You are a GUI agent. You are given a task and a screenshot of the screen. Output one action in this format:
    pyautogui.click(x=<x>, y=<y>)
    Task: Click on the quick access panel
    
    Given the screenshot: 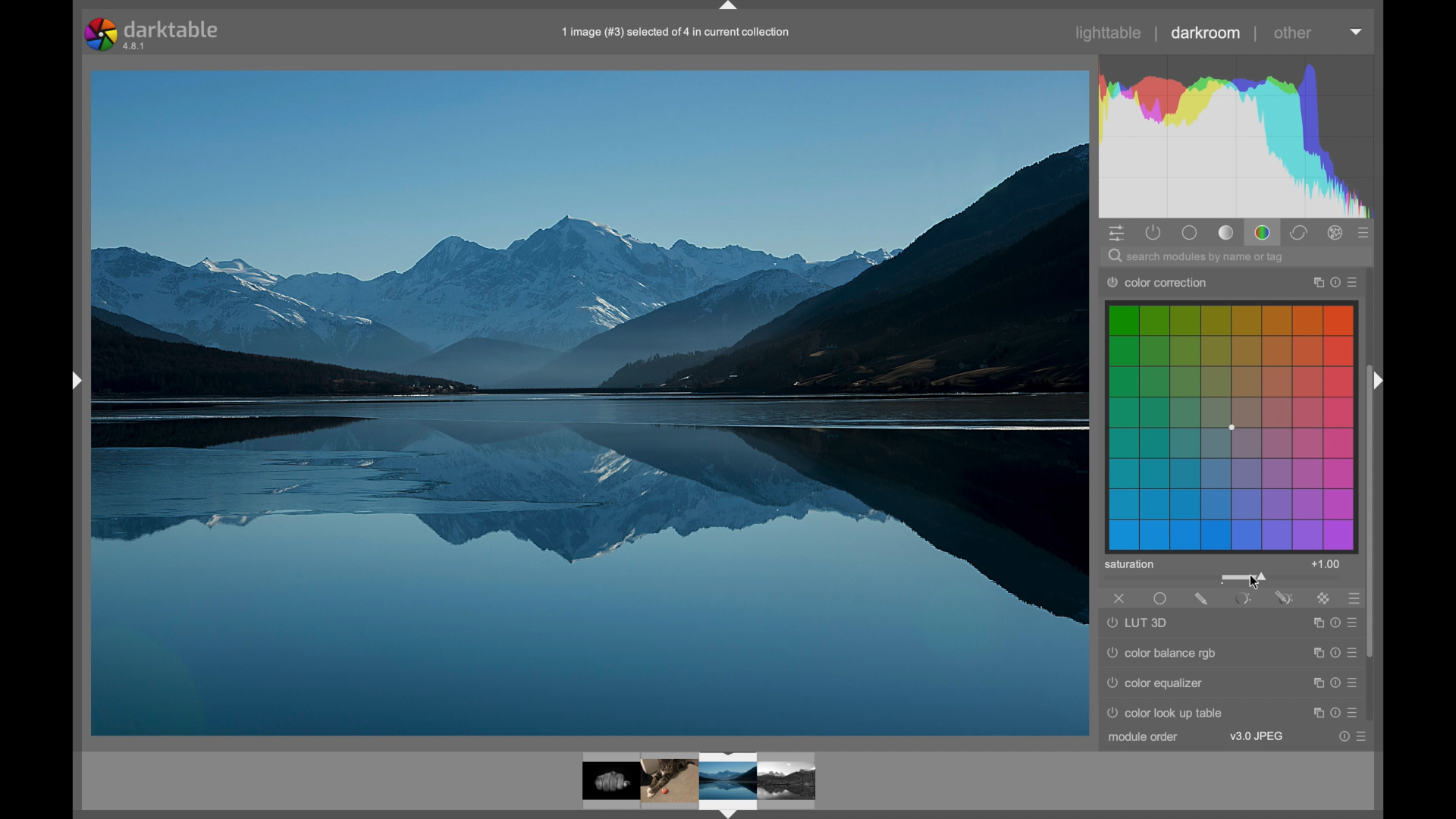 What is the action you would take?
    pyautogui.click(x=1119, y=234)
    